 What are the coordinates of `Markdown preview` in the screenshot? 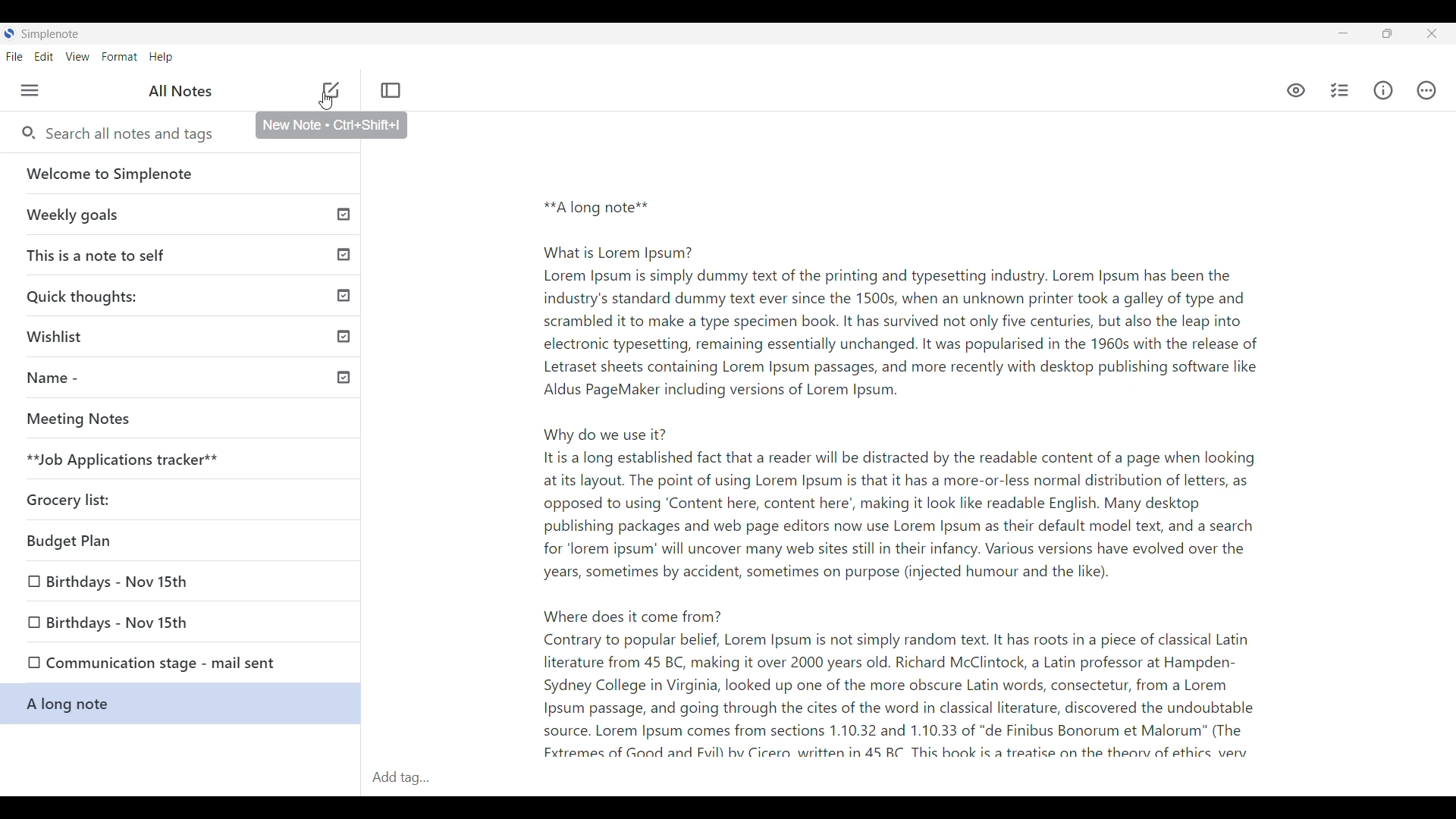 It's located at (1294, 91).